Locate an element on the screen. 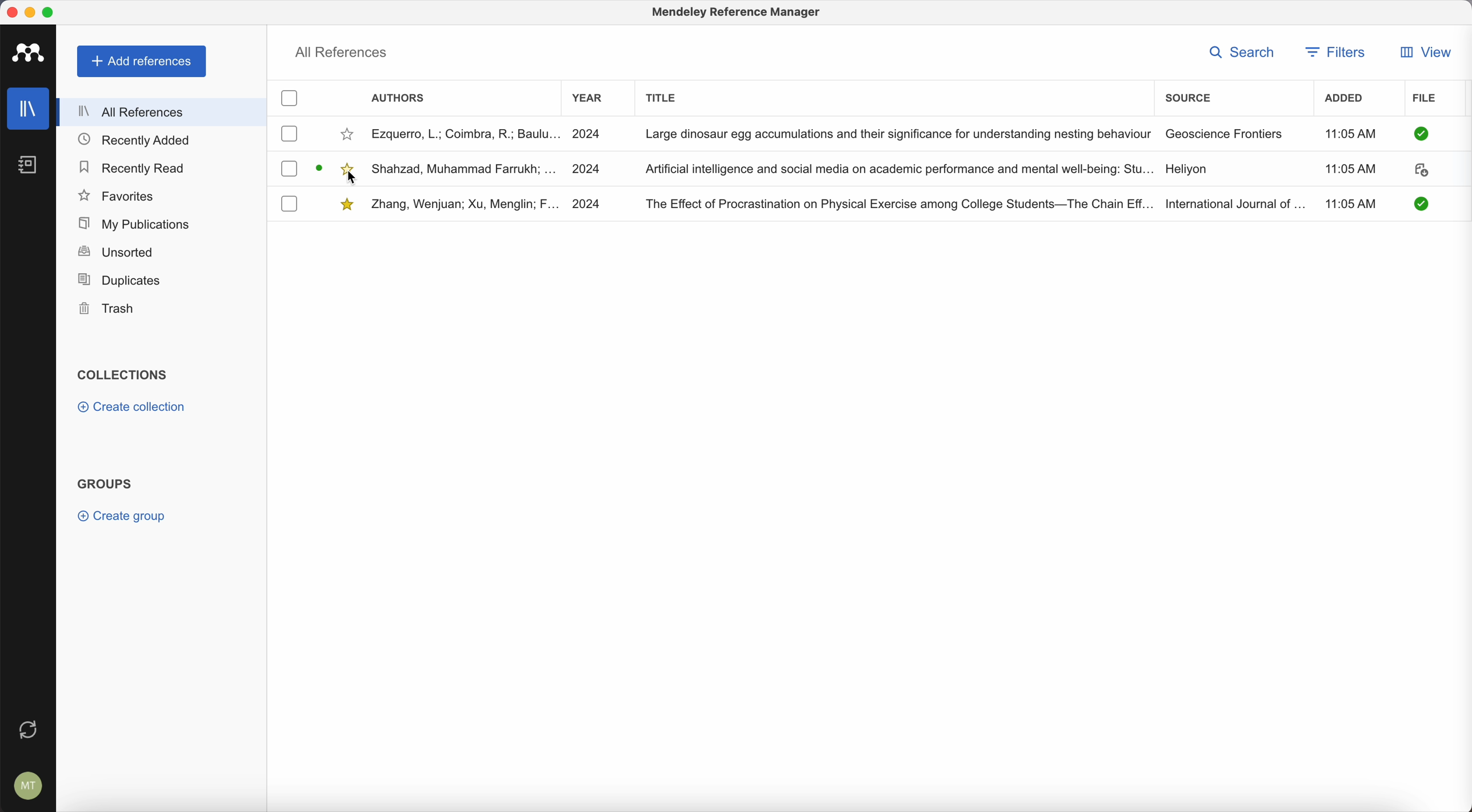 Image resolution: width=1472 pixels, height=812 pixels. checkbox is located at coordinates (289, 99).